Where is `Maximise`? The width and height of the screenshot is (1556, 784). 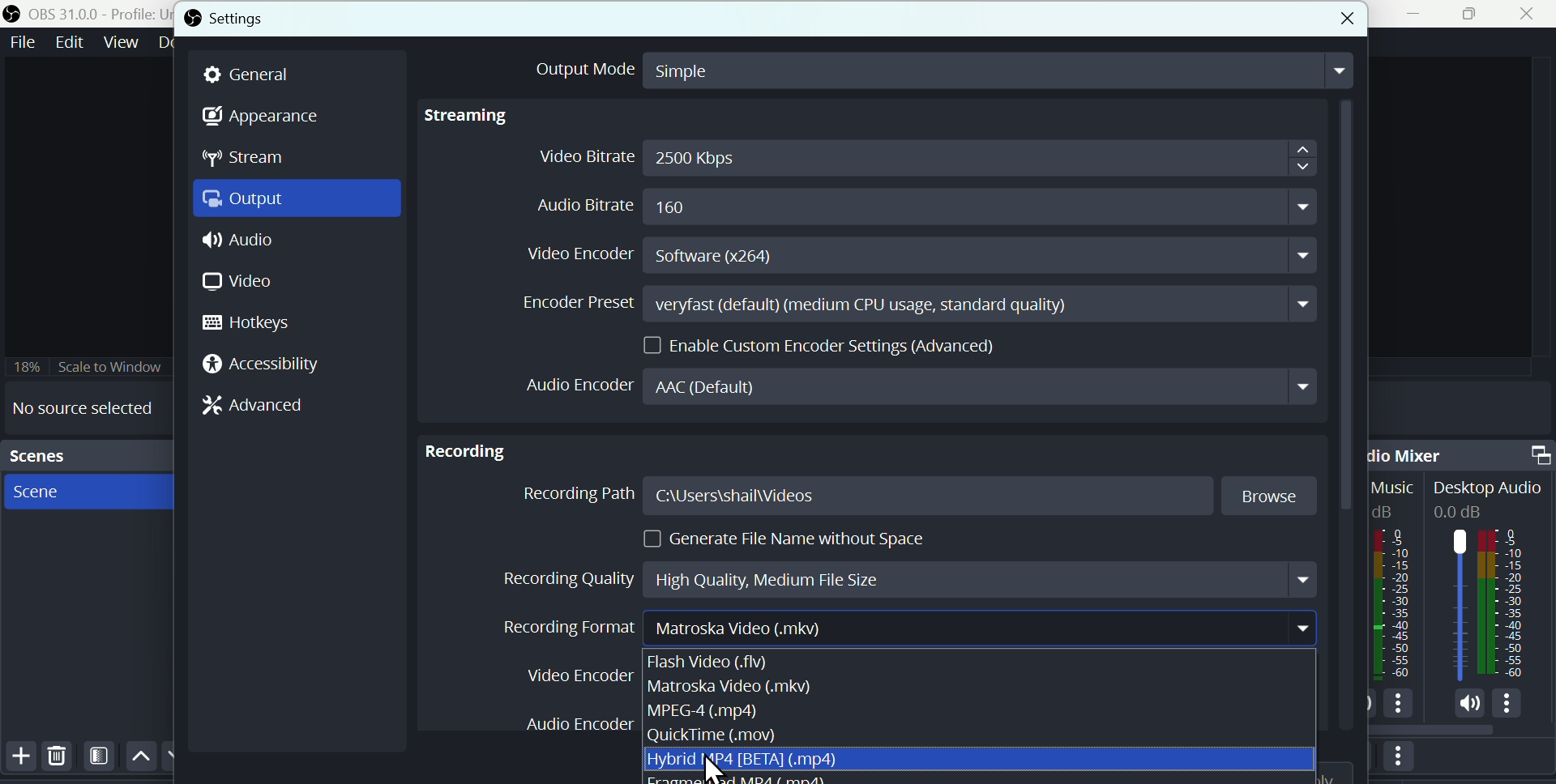
Maximise is located at coordinates (1474, 16).